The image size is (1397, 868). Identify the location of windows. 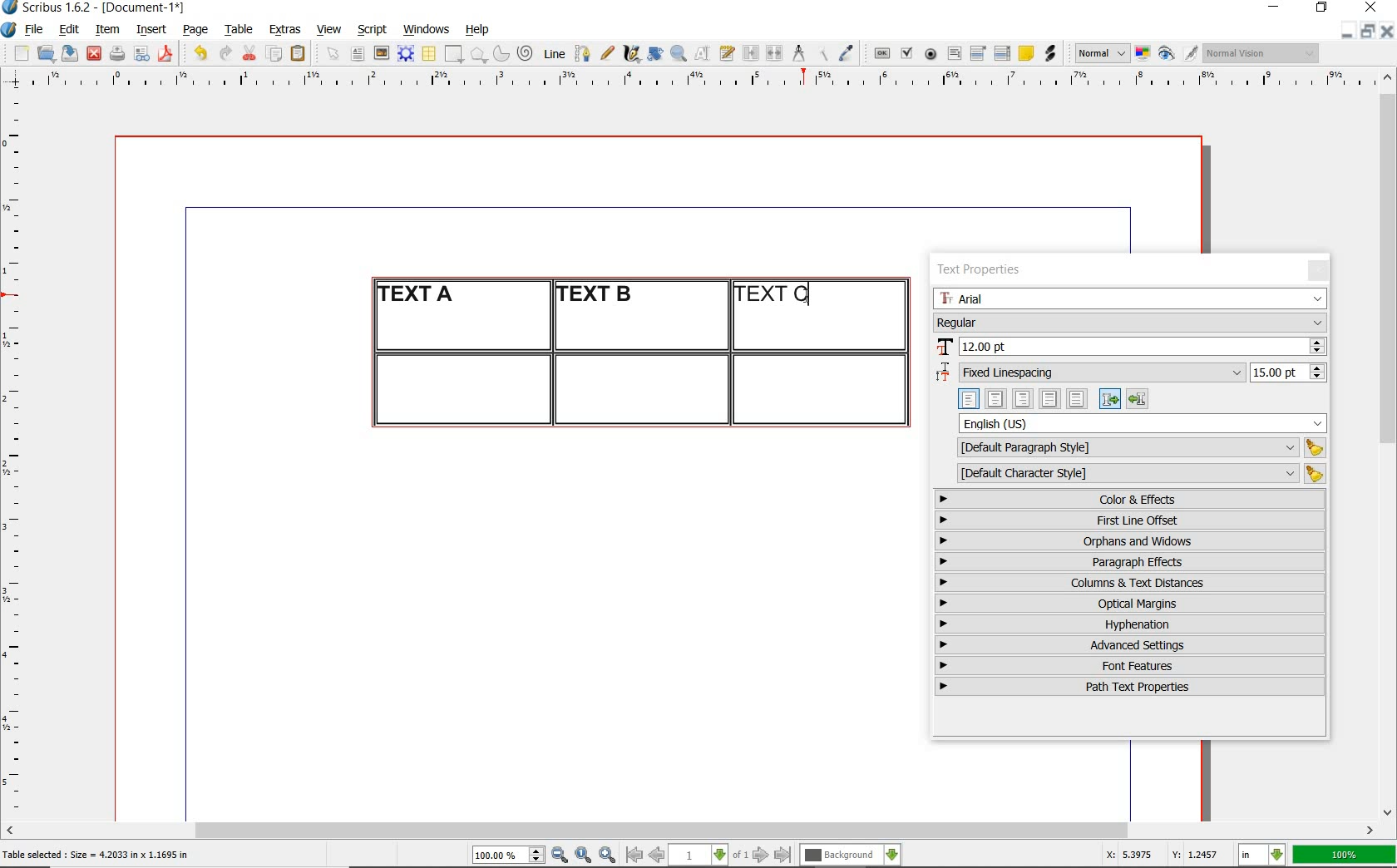
(427, 30).